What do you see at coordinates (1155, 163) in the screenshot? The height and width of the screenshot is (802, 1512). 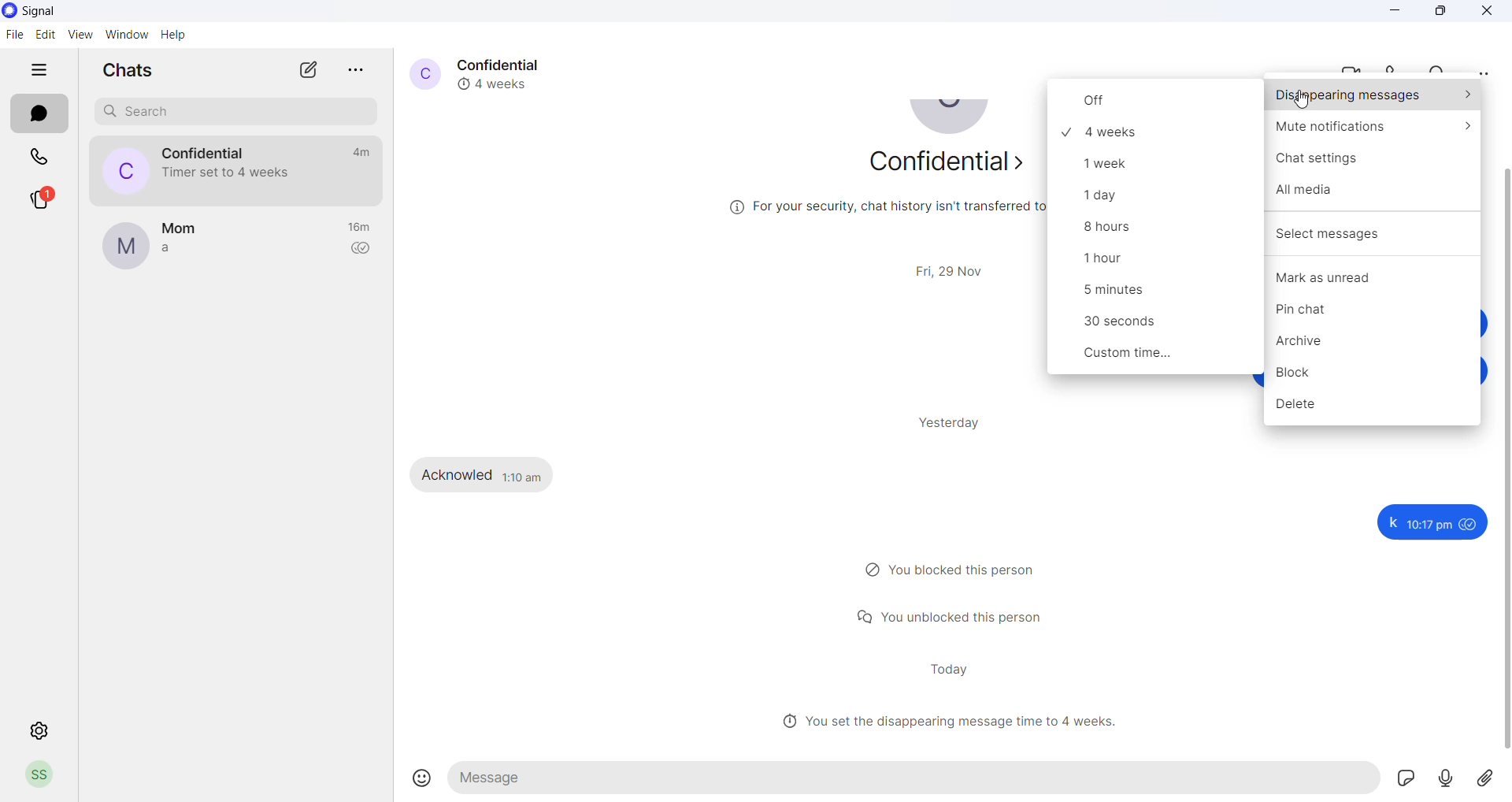 I see `disappearing messages timeframe` at bounding box center [1155, 163].